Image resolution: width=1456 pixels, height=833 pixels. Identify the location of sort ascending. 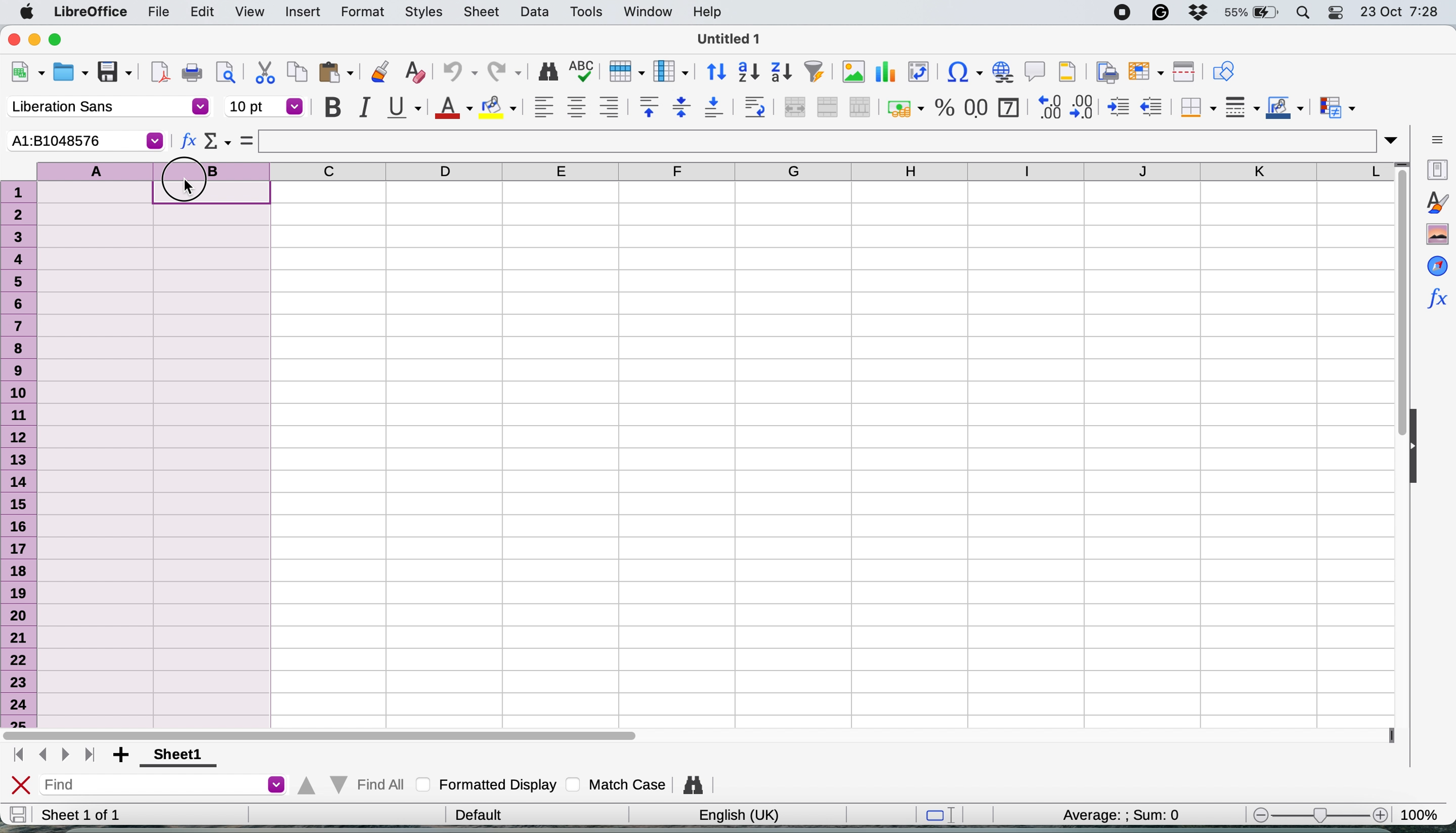
(749, 72).